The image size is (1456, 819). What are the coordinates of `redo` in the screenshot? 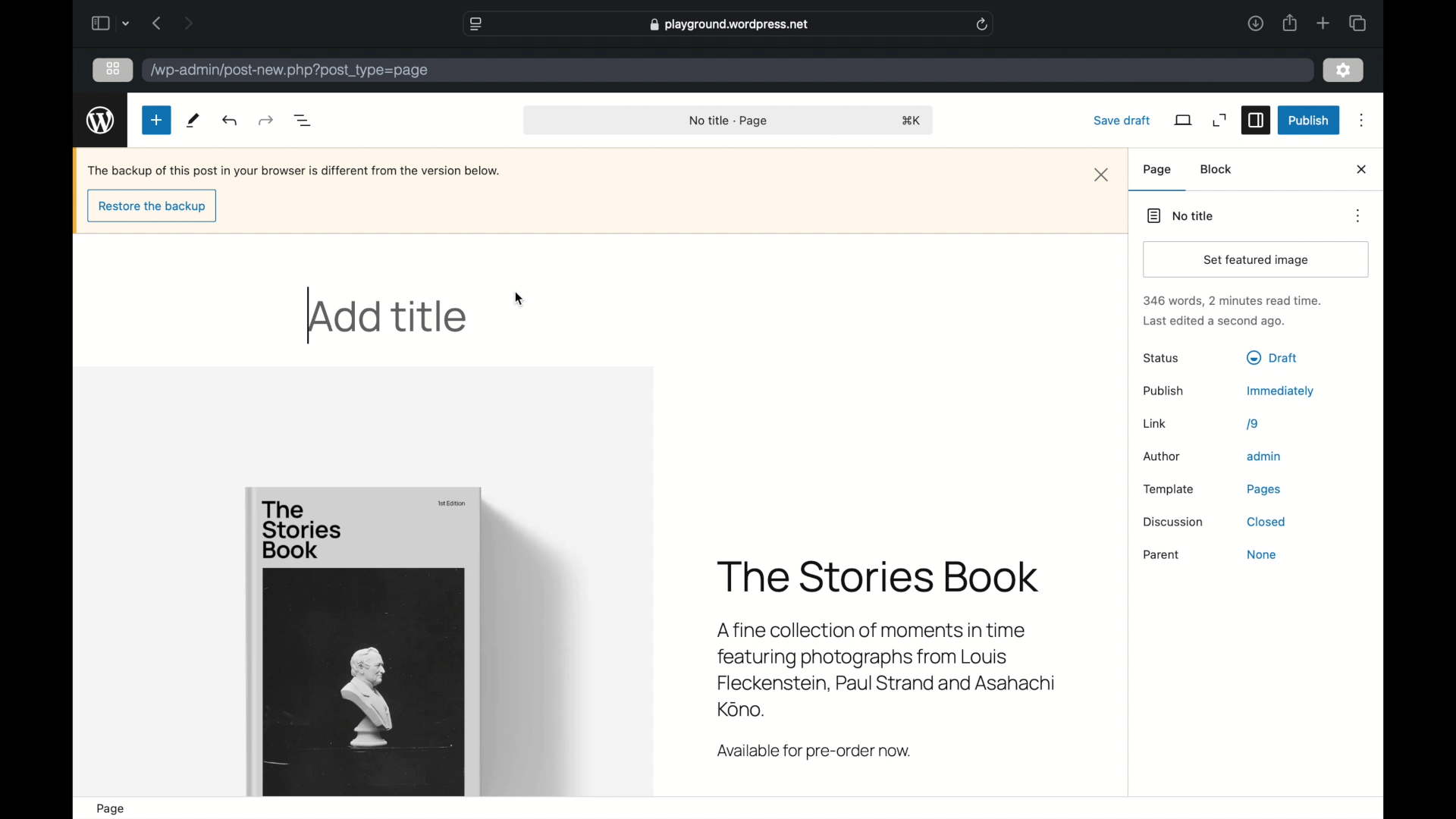 It's located at (231, 121).